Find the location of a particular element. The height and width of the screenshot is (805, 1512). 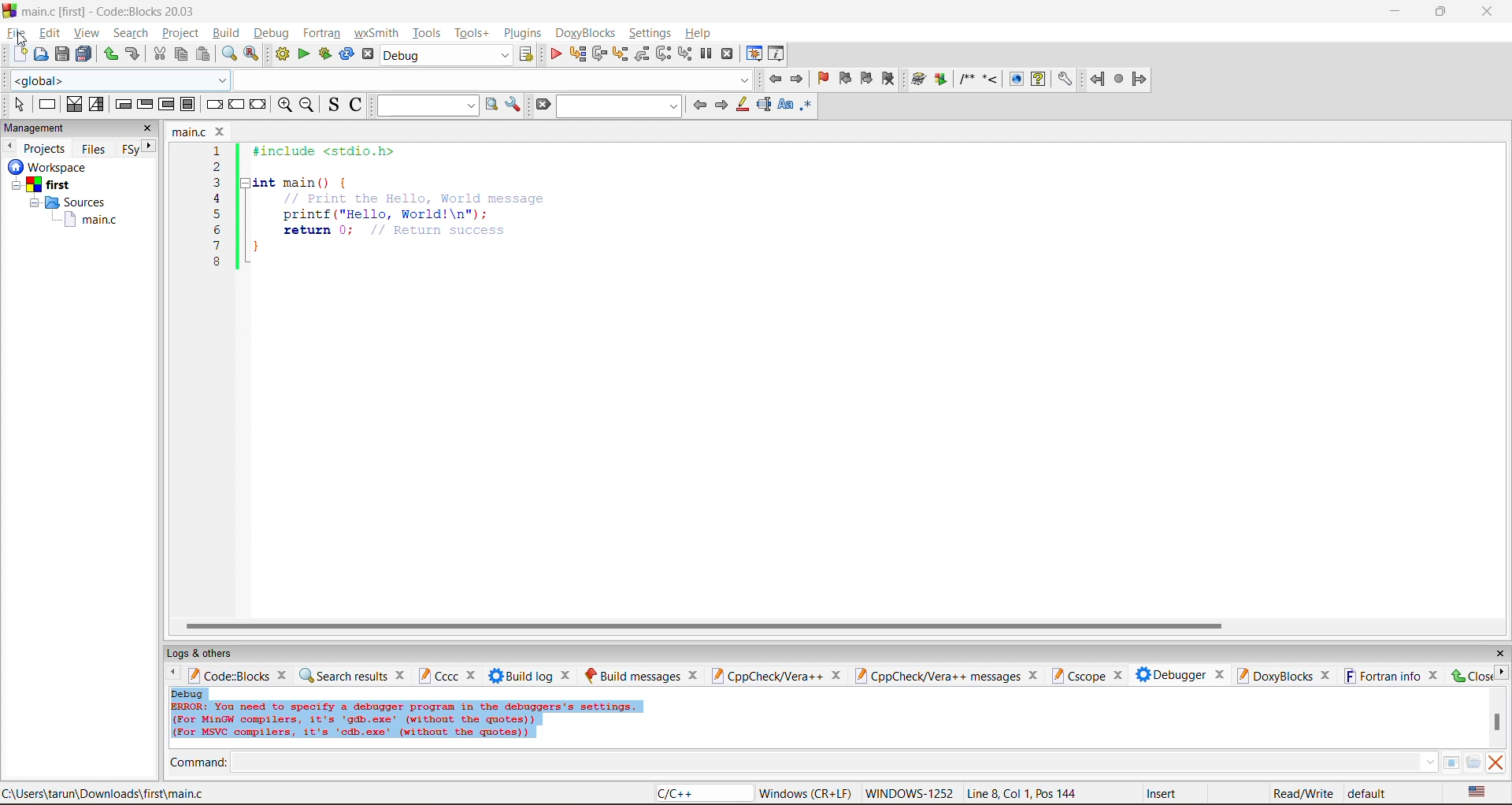

zoom out is located at coordinates (306, 106).